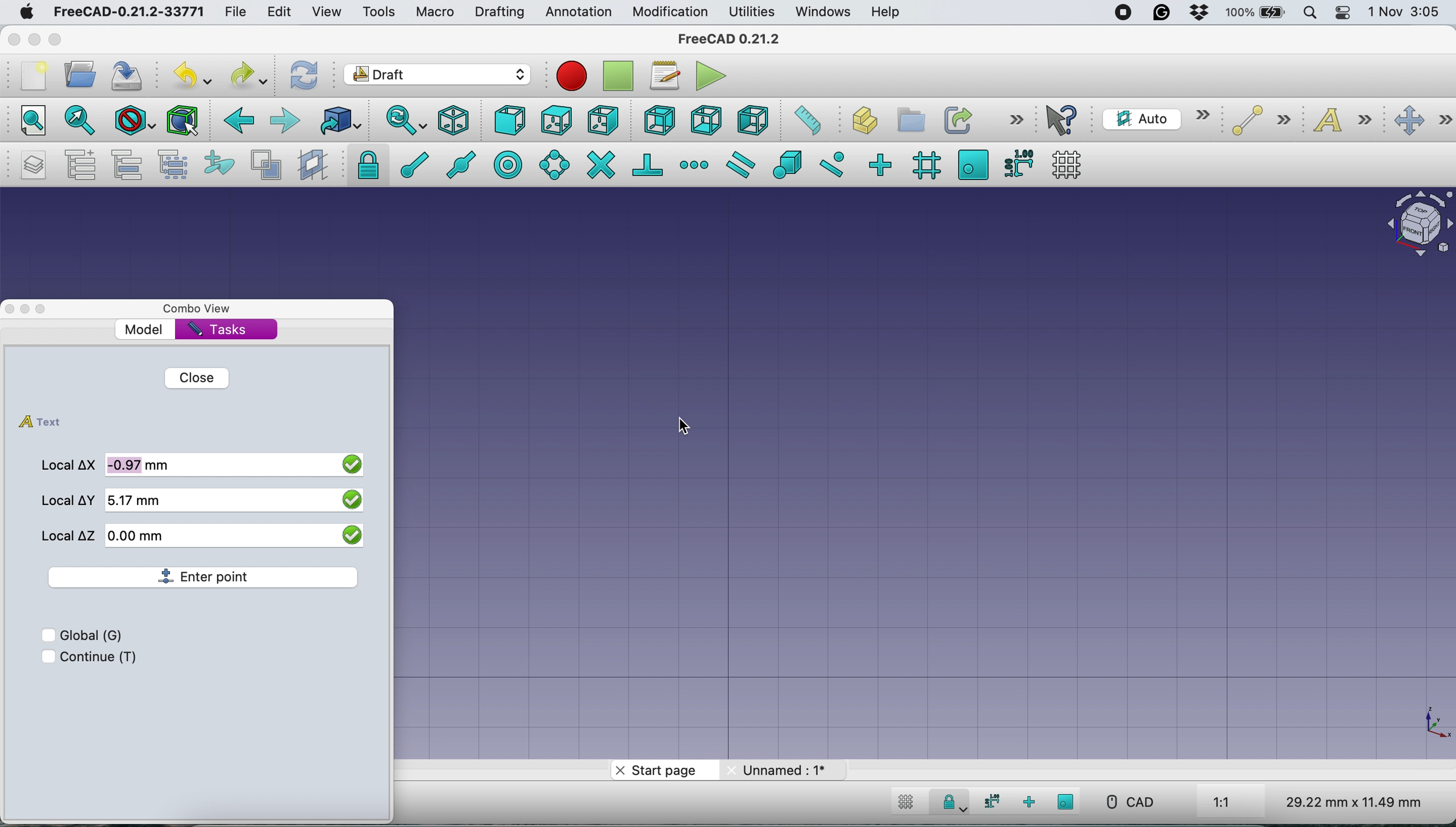  Describe the element at coordinates (249, 74) in the screenshot. I see `redo` at that location.